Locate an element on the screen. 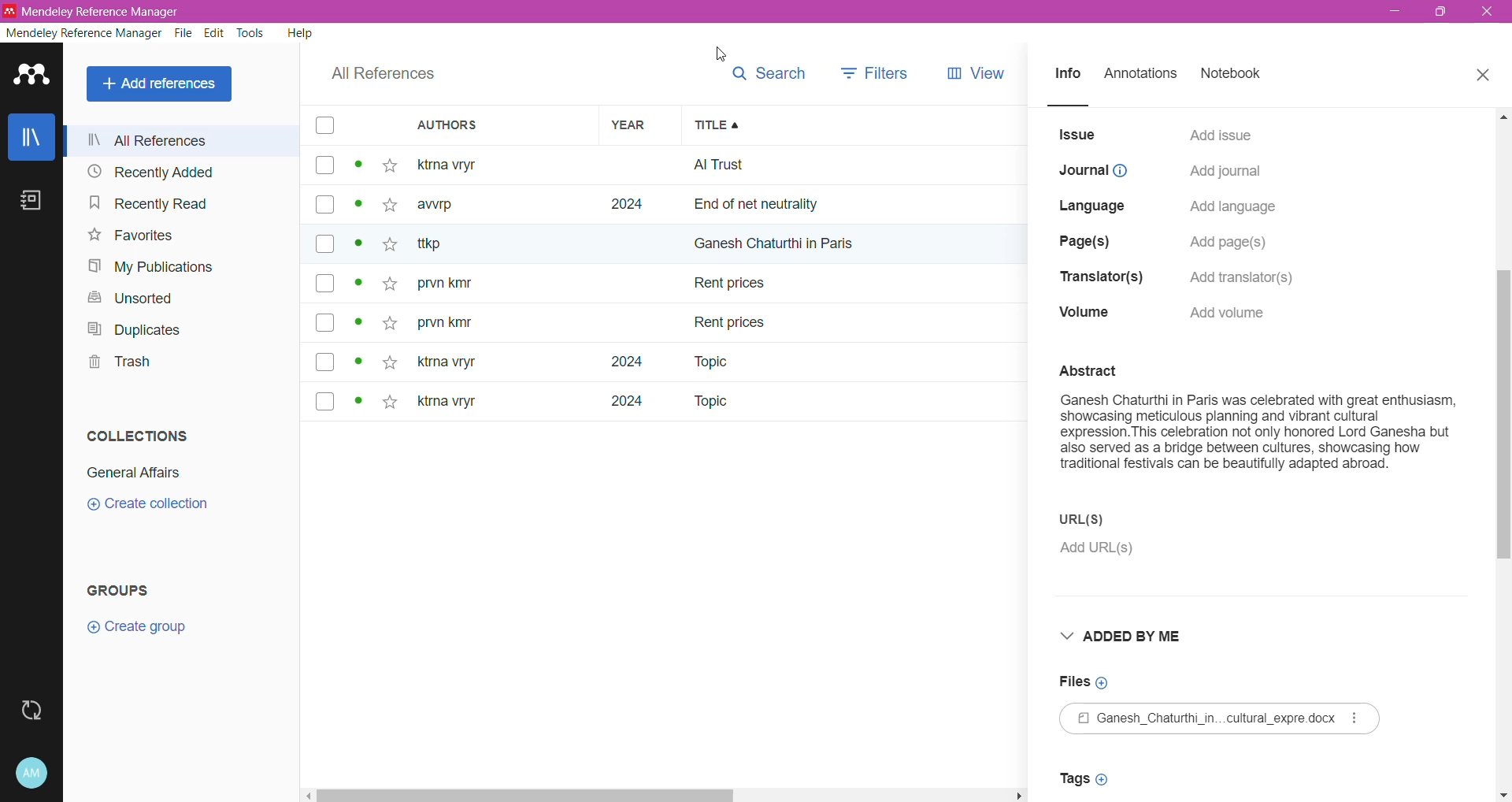 The height and width of the screenshot is (802, 1512). Files is located at coordinates (1085, 681).